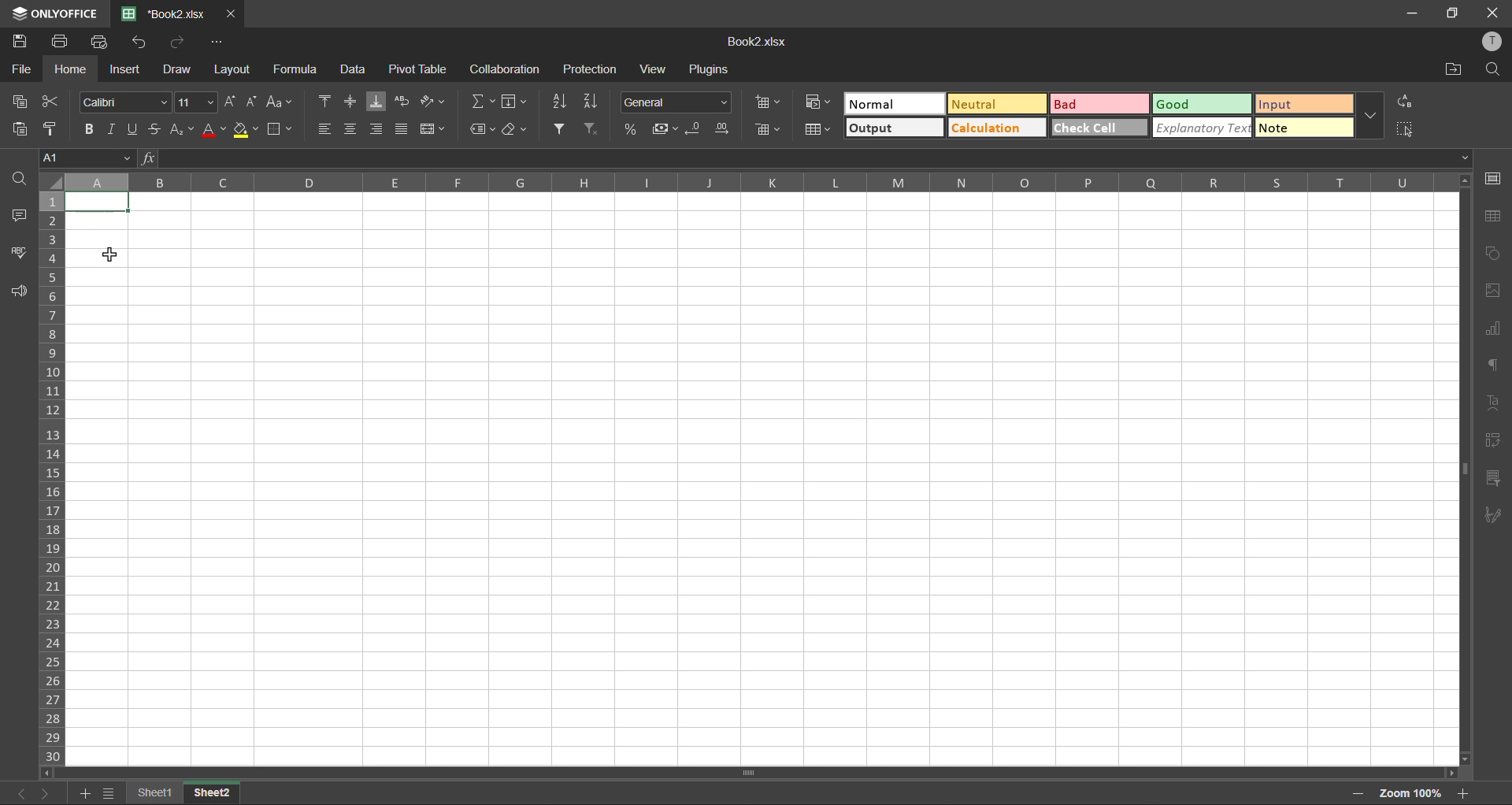 Image resolution: width=1512 pixels, height=805 pixels. What do you see at coordinates (255, 103) in the screenshot?
I see `decrement size` at bounding box center [255, 103].